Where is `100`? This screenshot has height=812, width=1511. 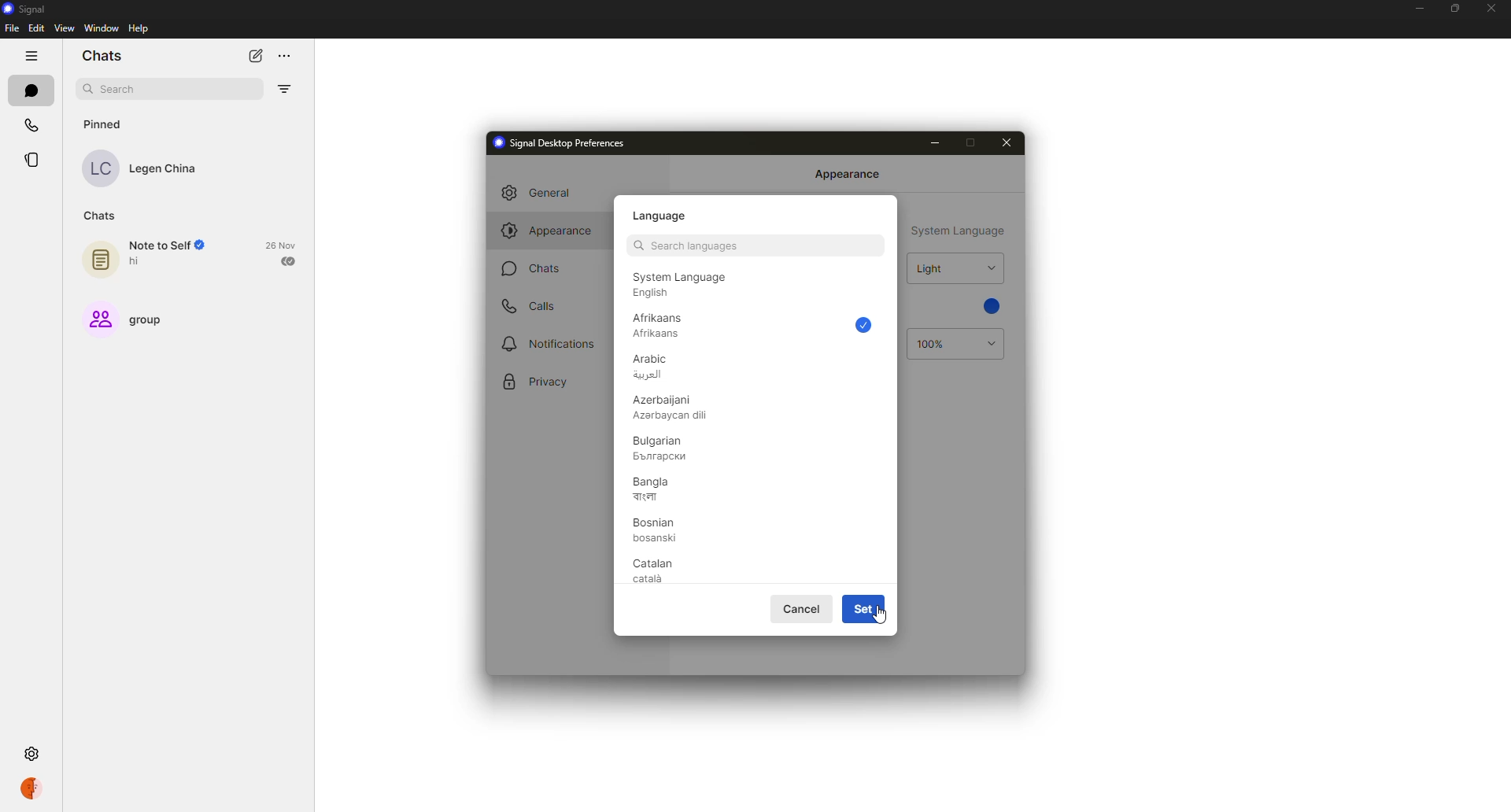
100 is located at coordinates (934, 344).